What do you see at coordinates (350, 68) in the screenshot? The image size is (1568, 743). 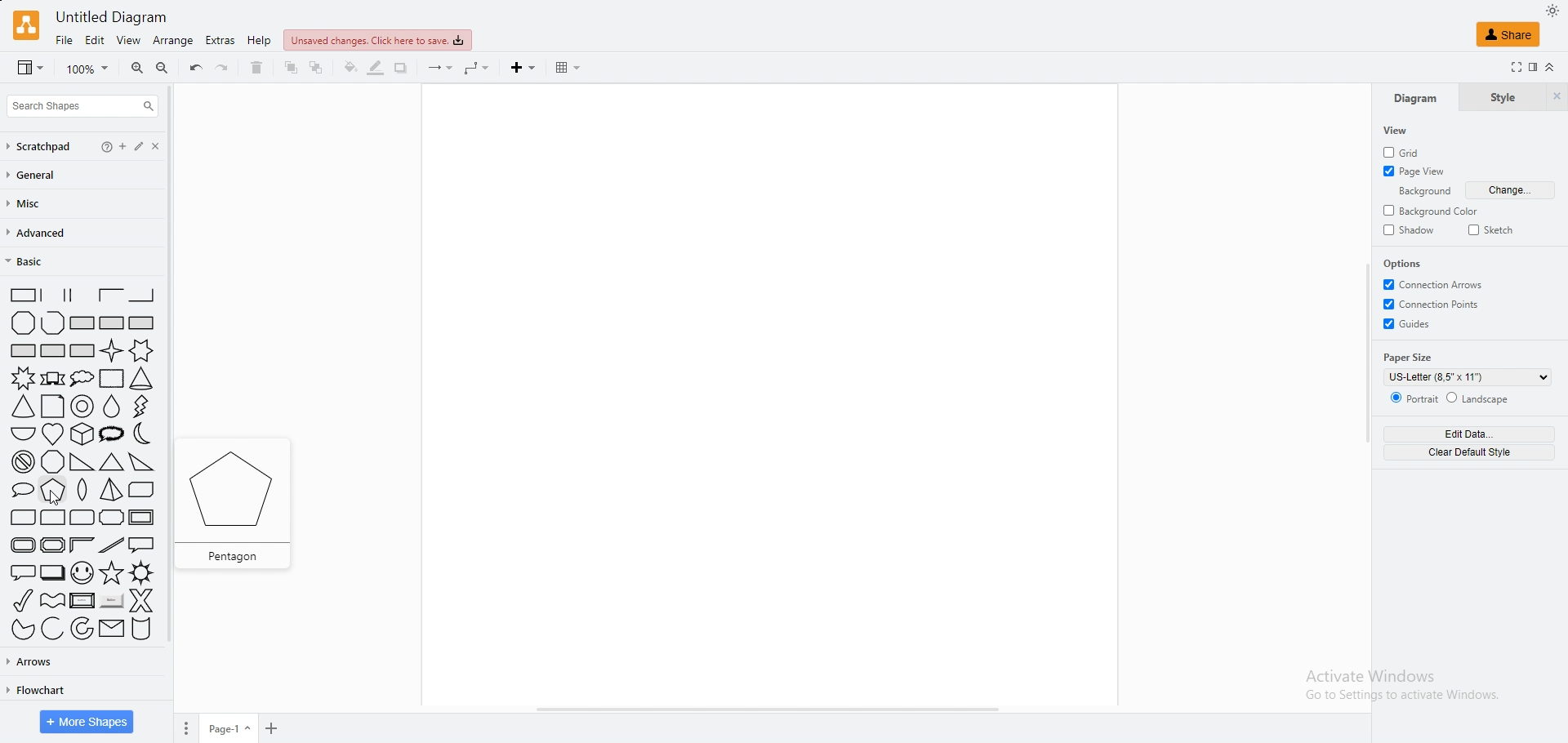 I see `fill color` at bounding box center [350, 68].